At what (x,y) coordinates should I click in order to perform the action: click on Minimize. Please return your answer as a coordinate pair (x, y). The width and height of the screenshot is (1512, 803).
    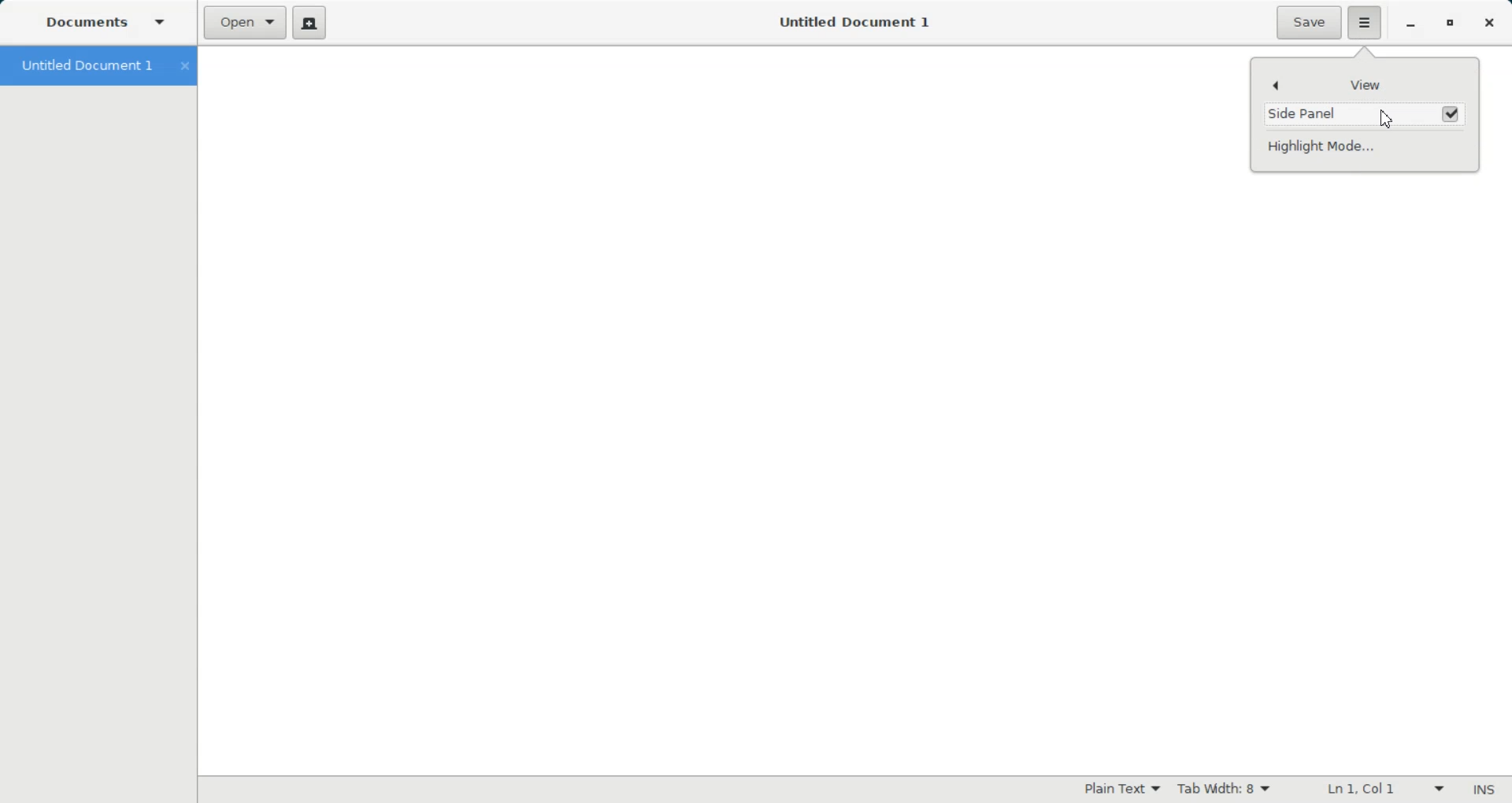
    Looking at the image, I should click on (1412, 24).